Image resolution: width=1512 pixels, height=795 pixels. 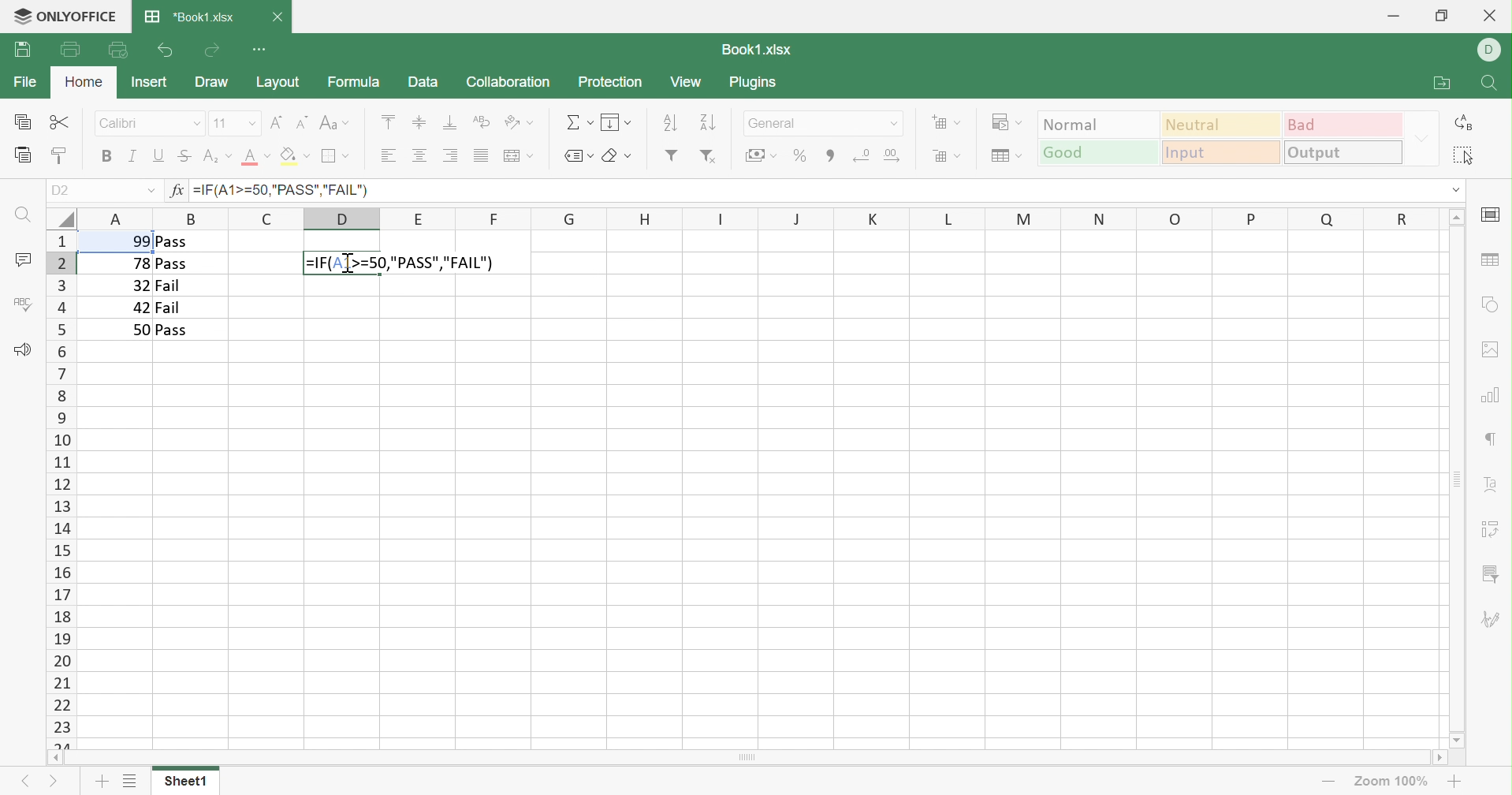 What do you see at coordinates (761, 218) in the screenshot?
I see `Column names` at bounding box center [761, 218].